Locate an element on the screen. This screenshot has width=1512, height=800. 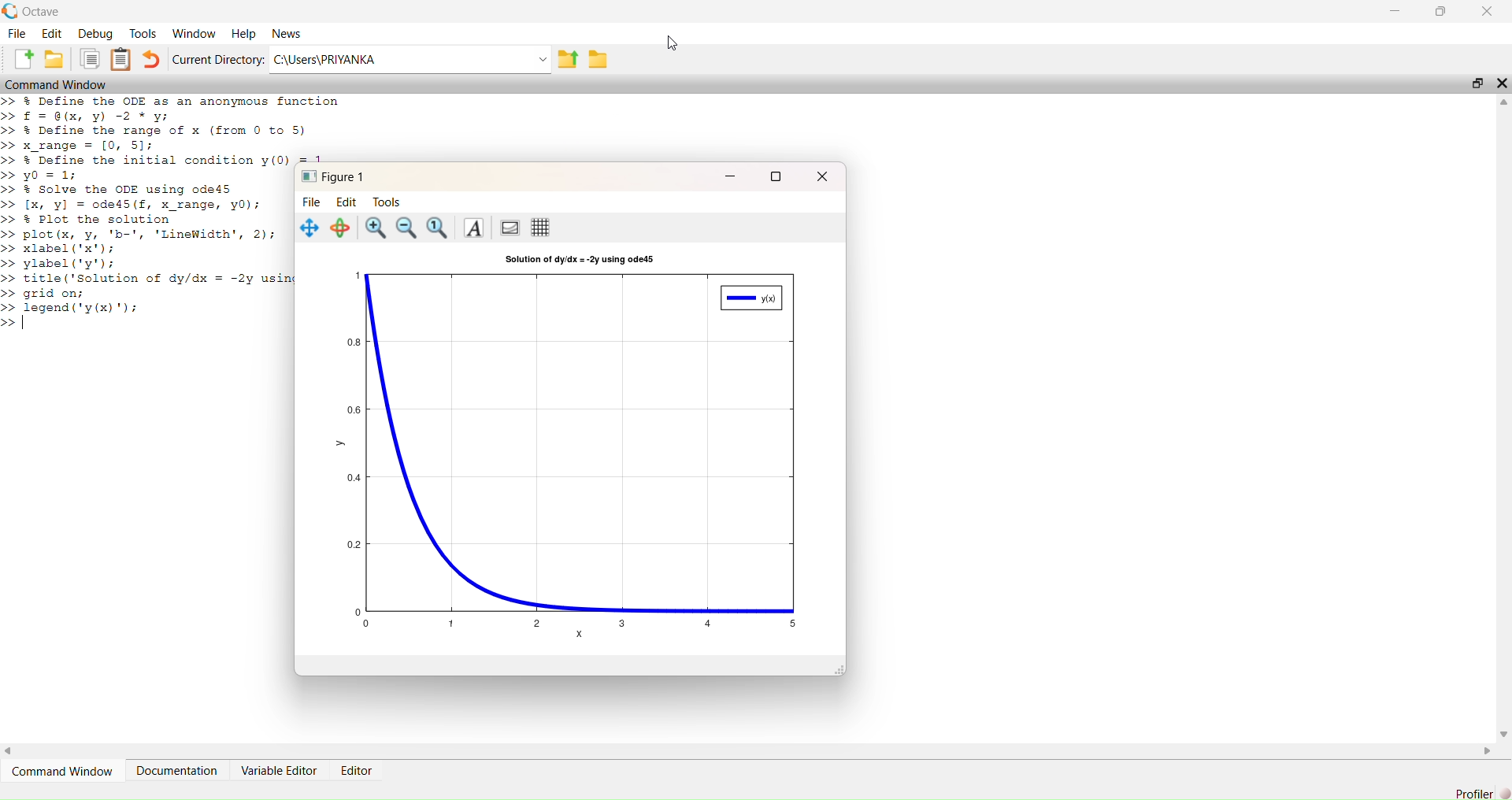
y is located at coordinates (341, 444).